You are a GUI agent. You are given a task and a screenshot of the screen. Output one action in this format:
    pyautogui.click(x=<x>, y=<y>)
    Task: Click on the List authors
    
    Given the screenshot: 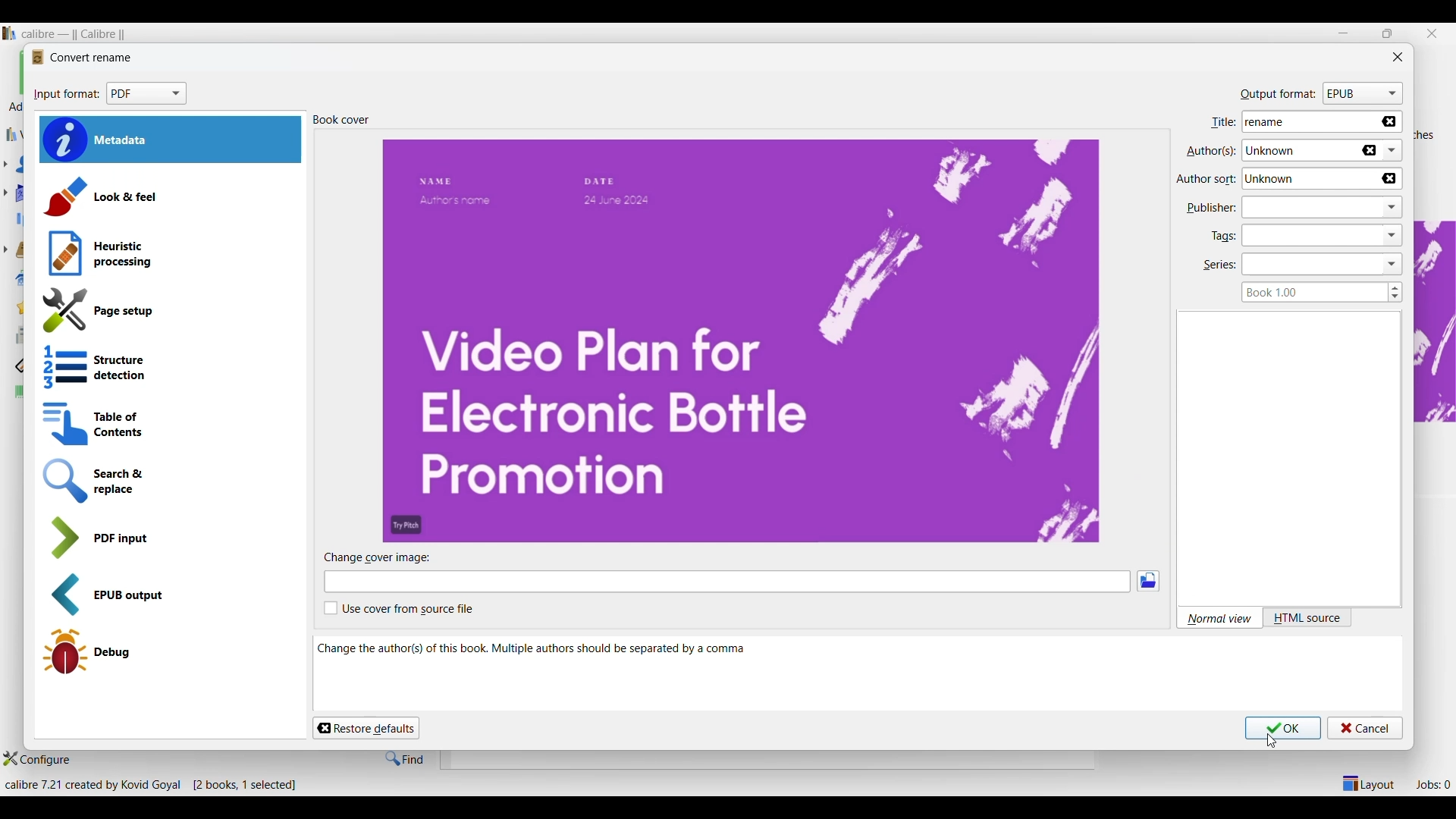 What is the action you would take?
    pyautogui.click(x=1392, y=150)
    